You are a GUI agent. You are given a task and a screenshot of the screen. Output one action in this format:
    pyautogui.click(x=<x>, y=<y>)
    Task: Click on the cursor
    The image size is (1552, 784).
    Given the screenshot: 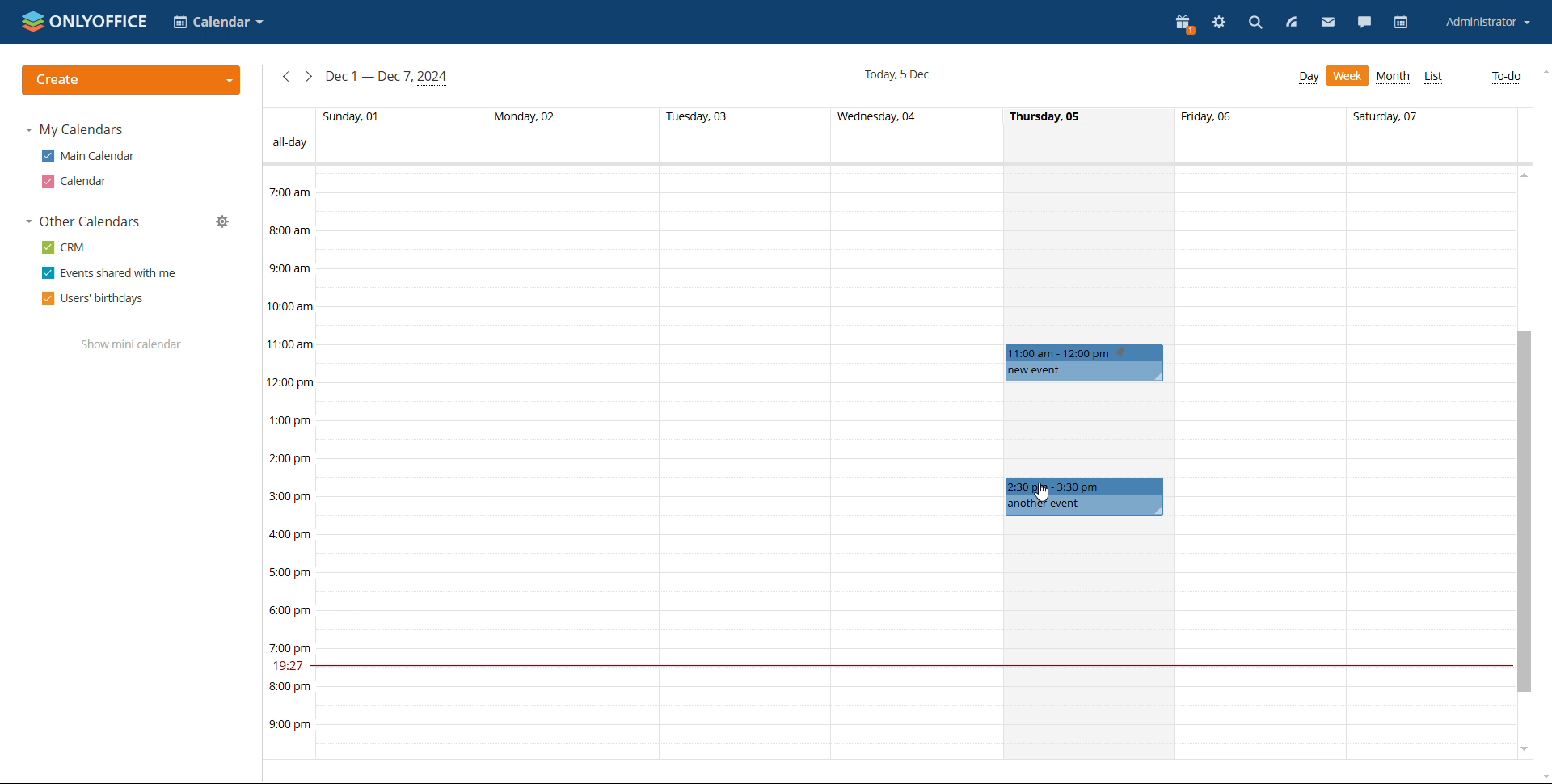 What is the action you would take?
    pyautogui.click(x=1042, y=493)
    